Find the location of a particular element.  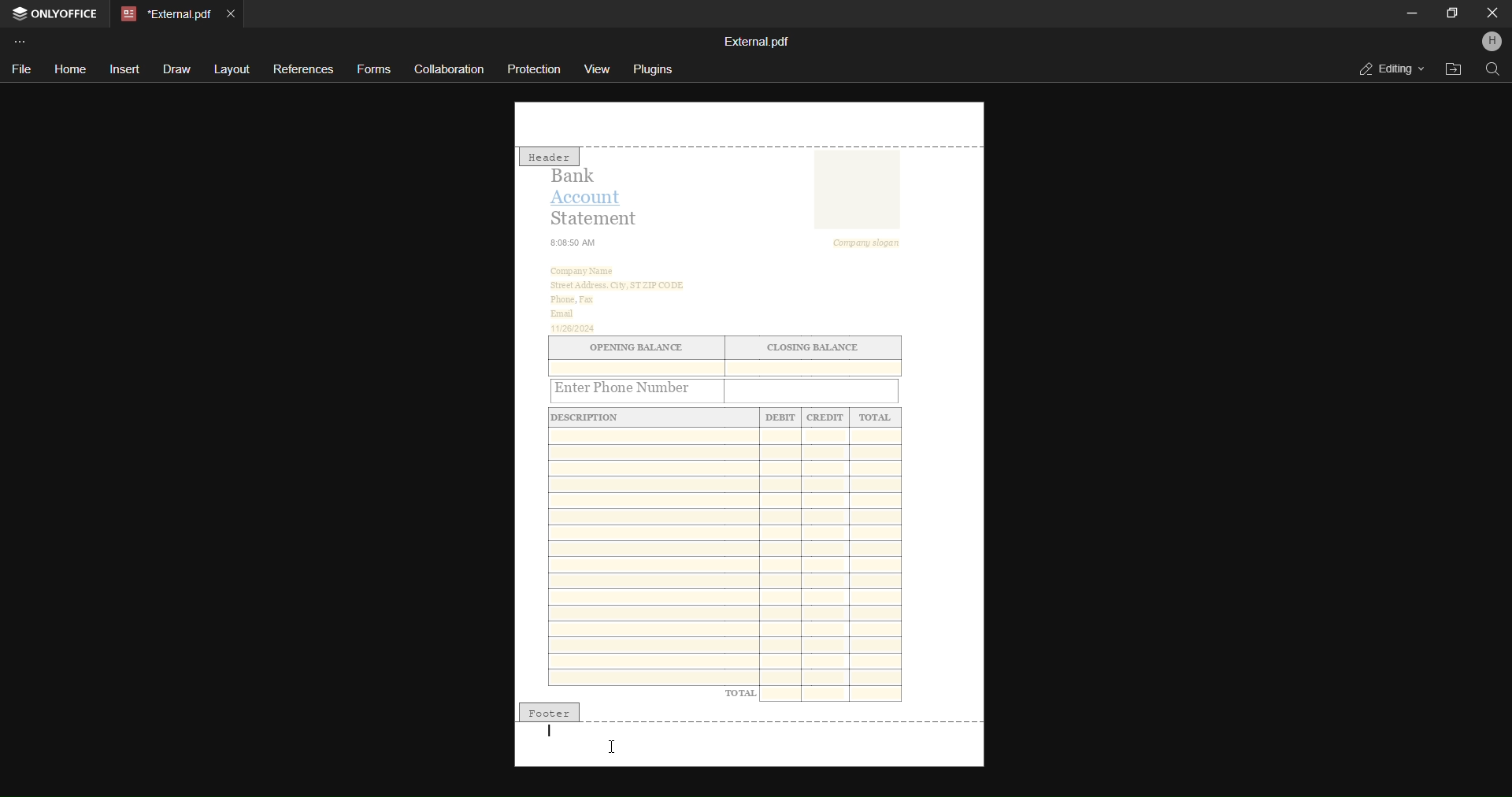

I cursor is located at coordinates (613, 747).